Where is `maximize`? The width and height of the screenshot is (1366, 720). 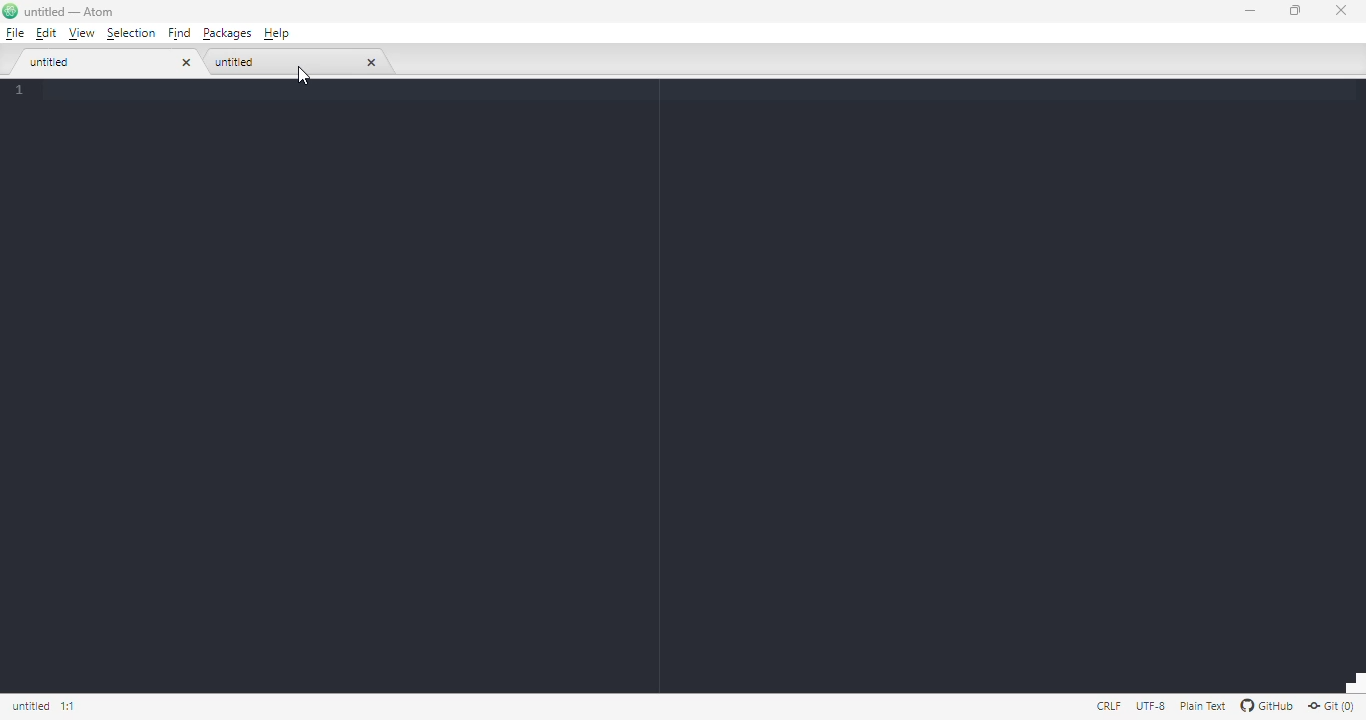 maximize is located at coordinates (1295, 10).